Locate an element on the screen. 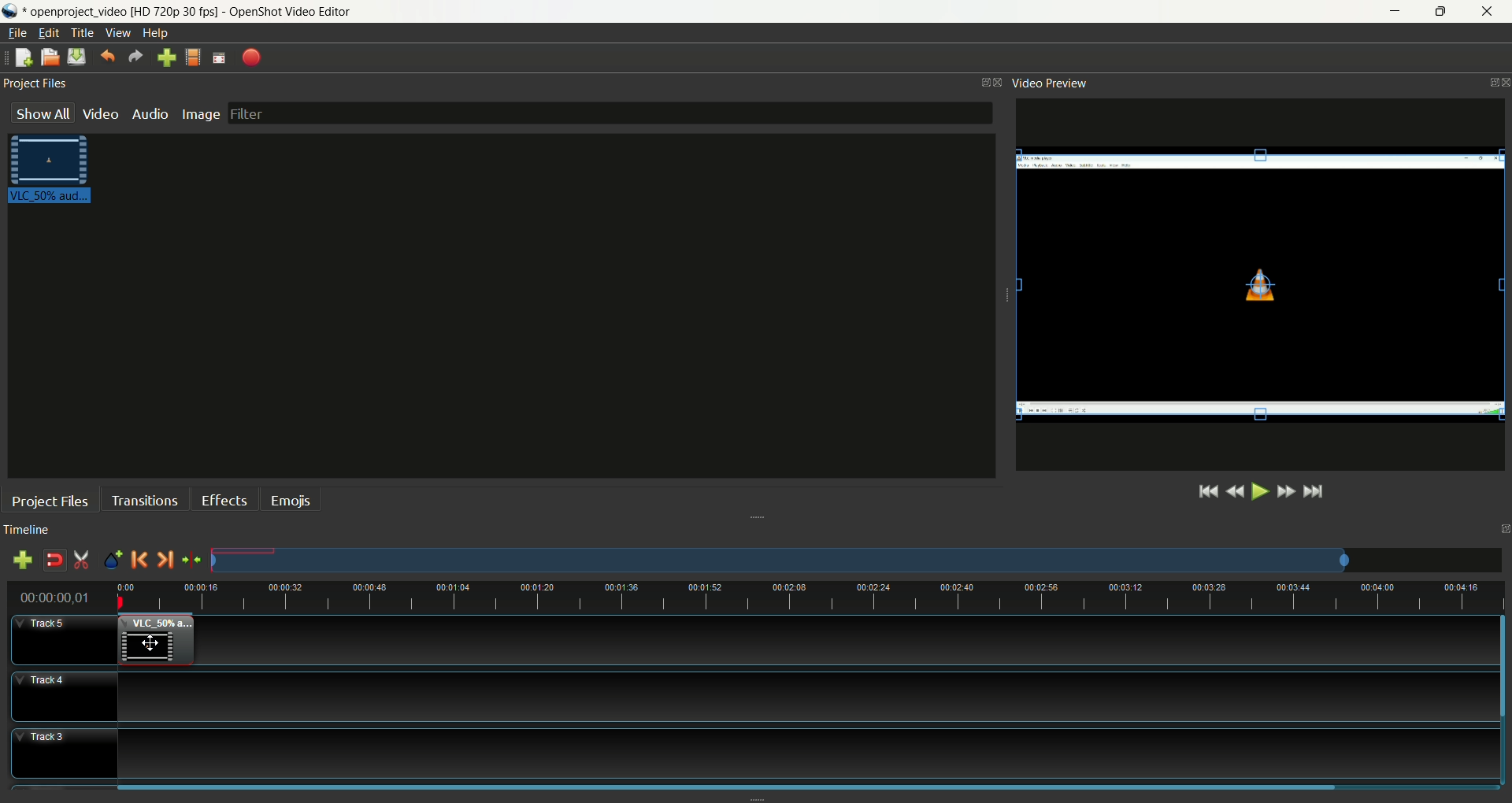  maximize is located at coordinates (1443, 13).